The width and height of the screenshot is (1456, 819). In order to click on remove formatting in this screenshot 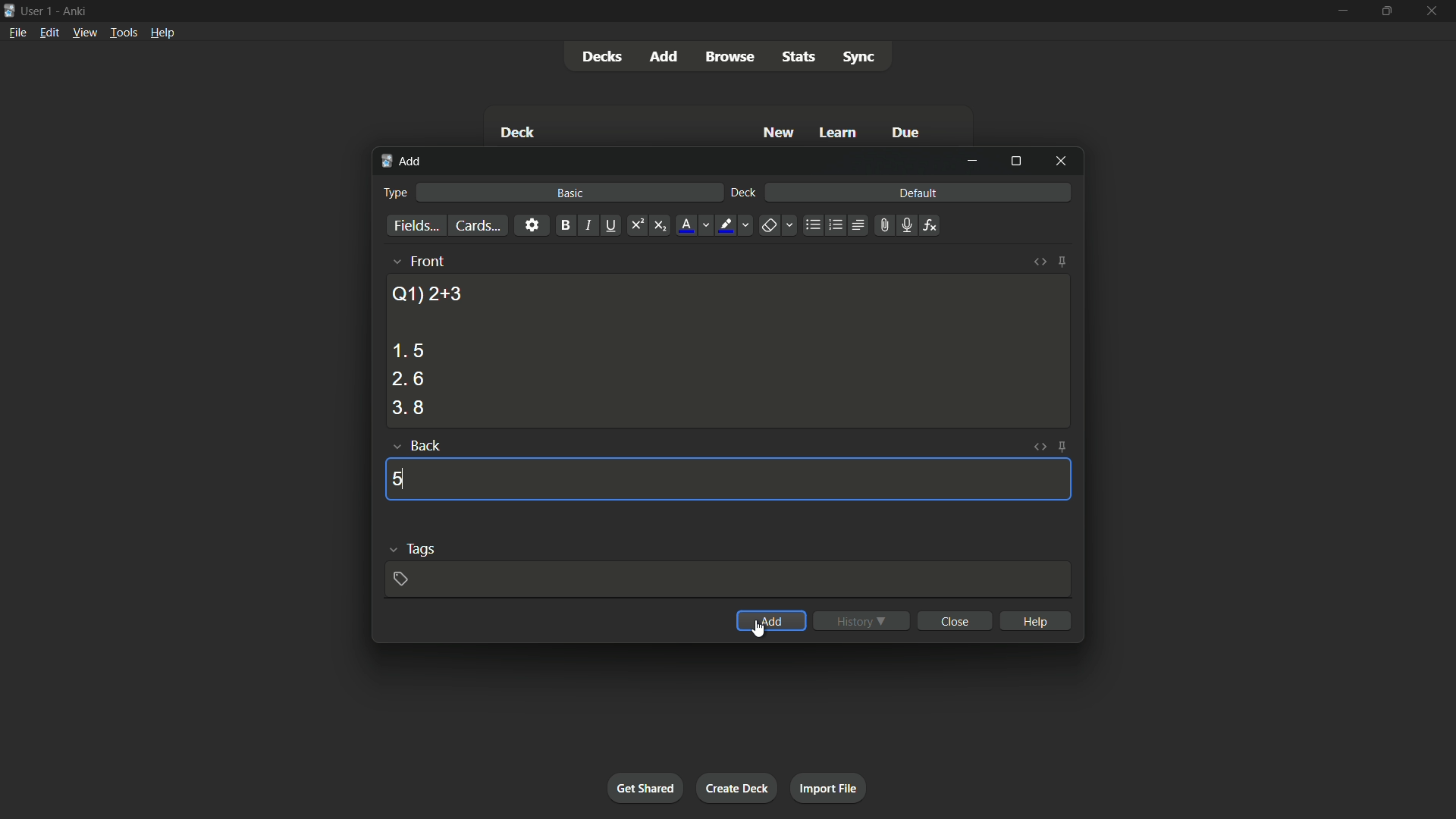, I will do `click(769, 227)`.